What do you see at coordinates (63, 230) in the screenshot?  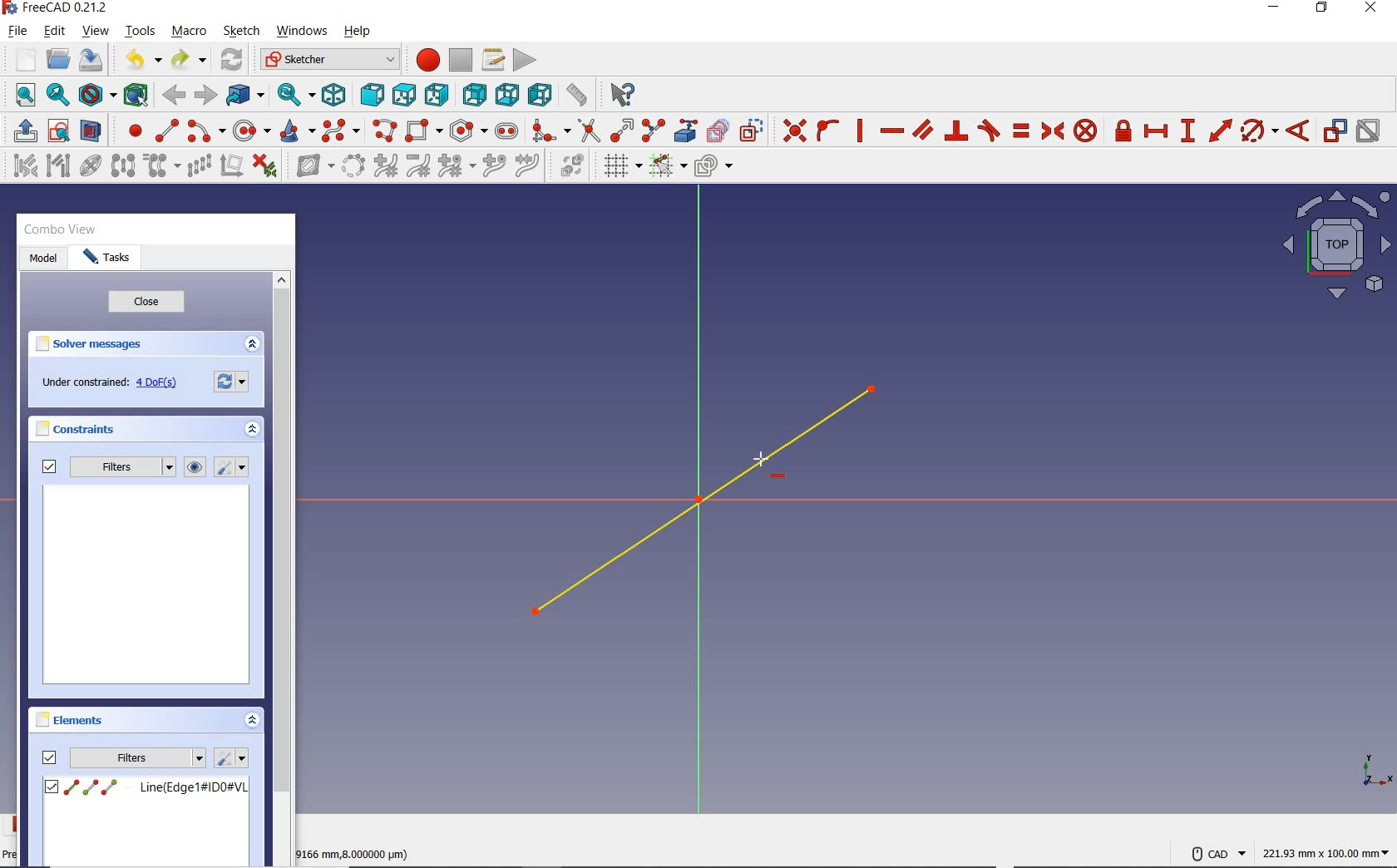 I see `COMBO VIEW` at bounding box center [63, 230].